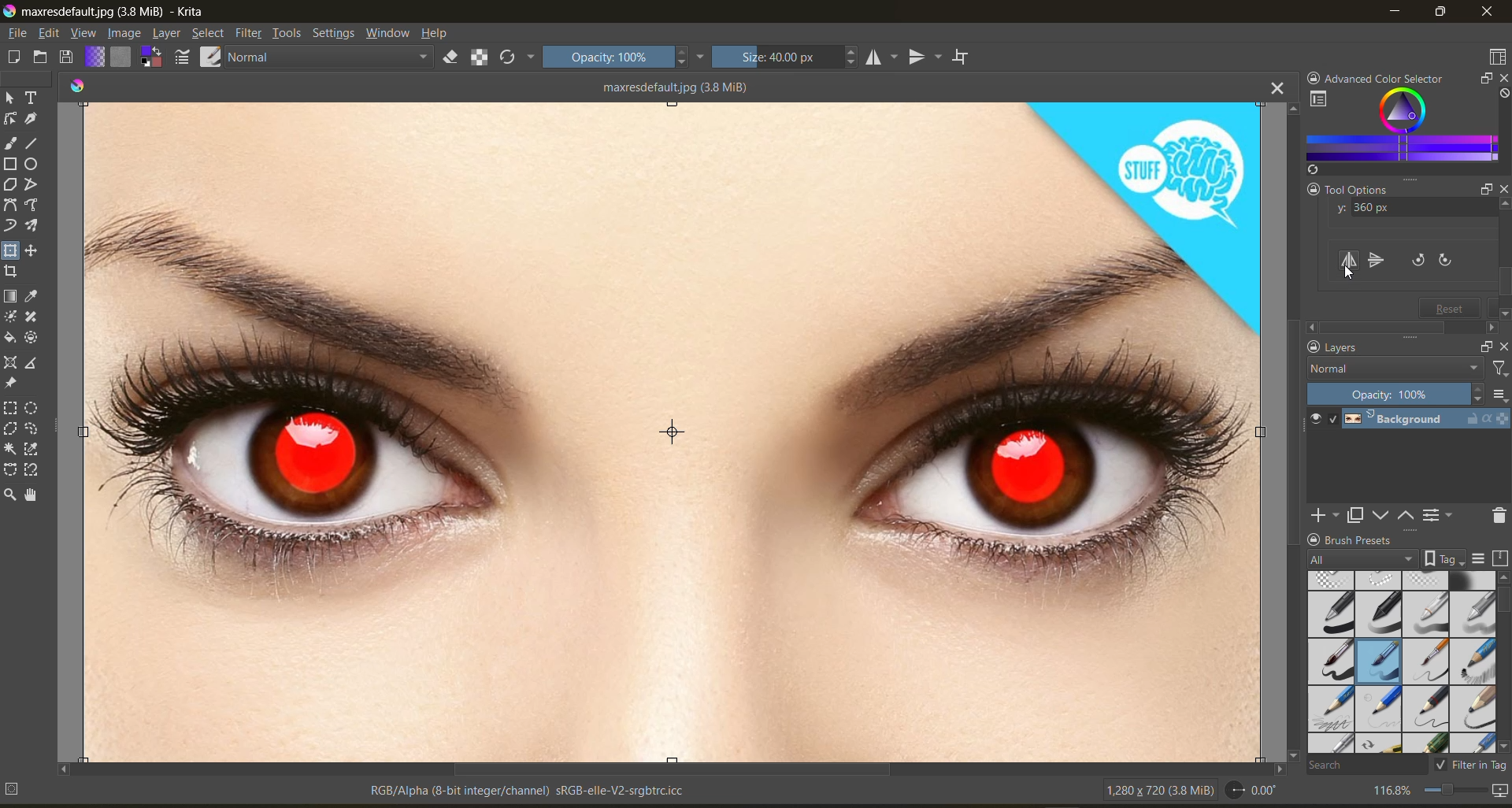  Describe the element at coordinates (287, 34) in the screenshot. I see `tools` at that location.